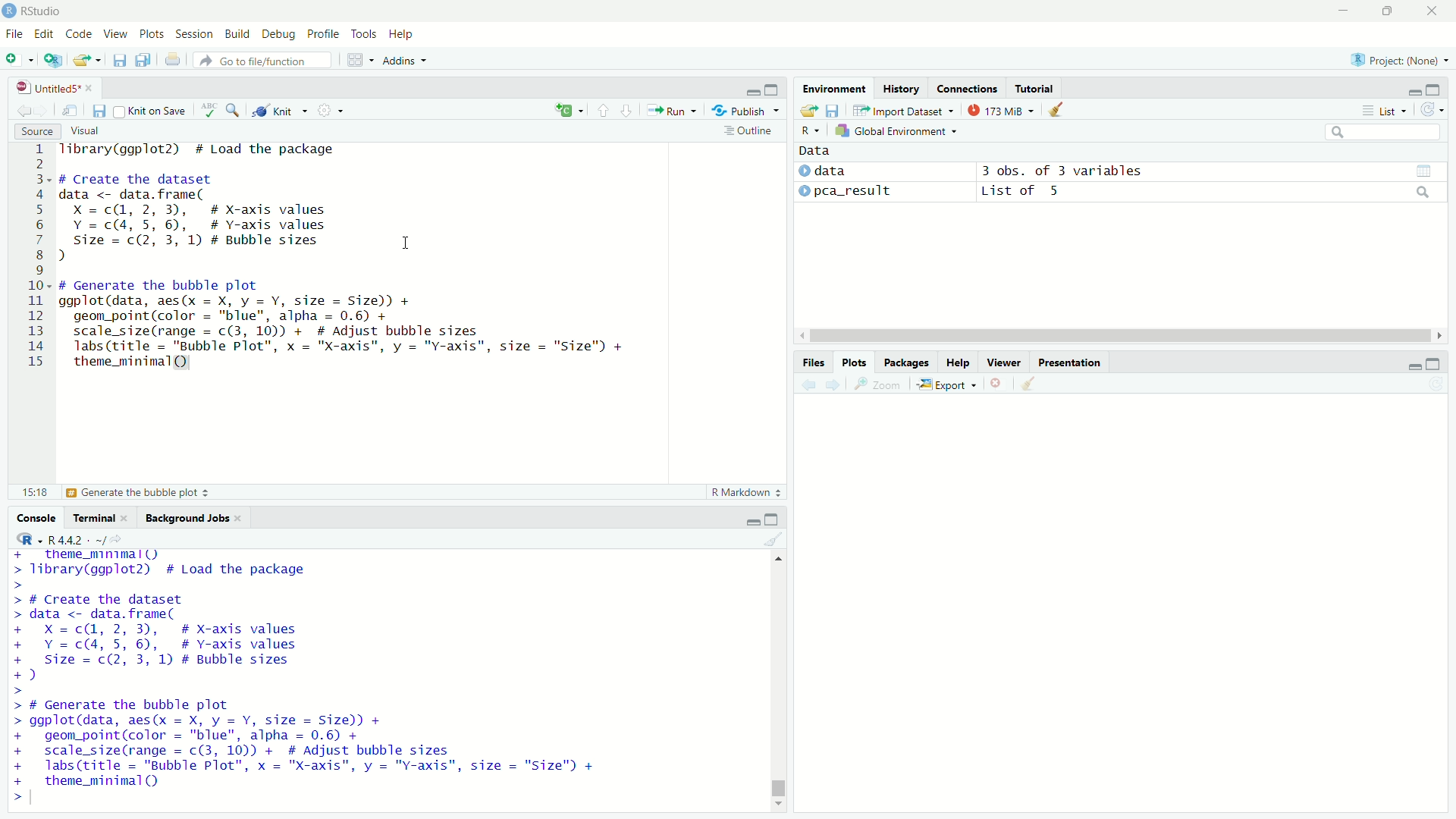 This screenshot has height=819, width=1456. Describe the element at coordinates (849, 171) in the screenshot. I see `data 1 : data` at that location.